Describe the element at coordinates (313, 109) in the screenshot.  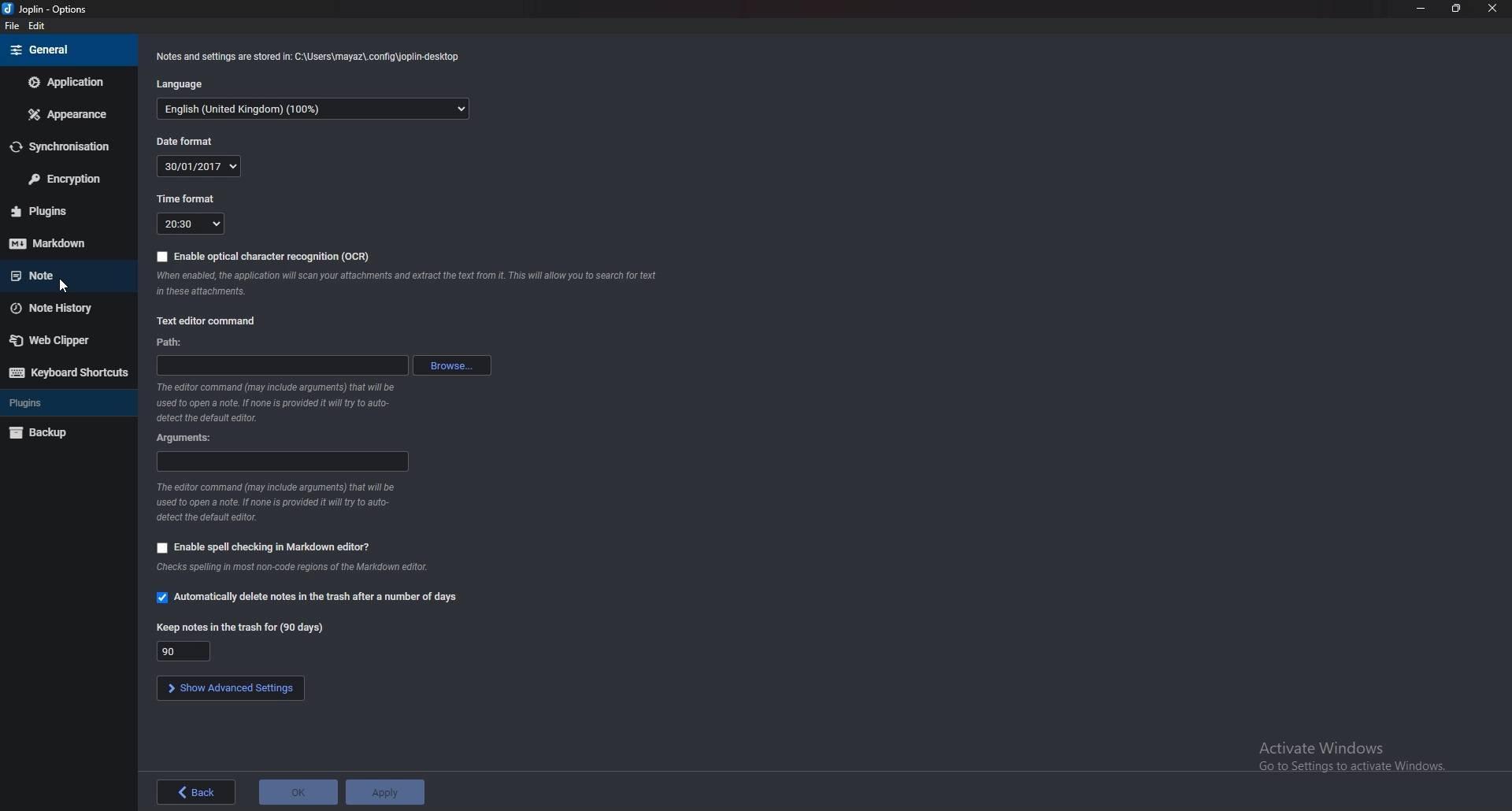
I see `Language` at that location.